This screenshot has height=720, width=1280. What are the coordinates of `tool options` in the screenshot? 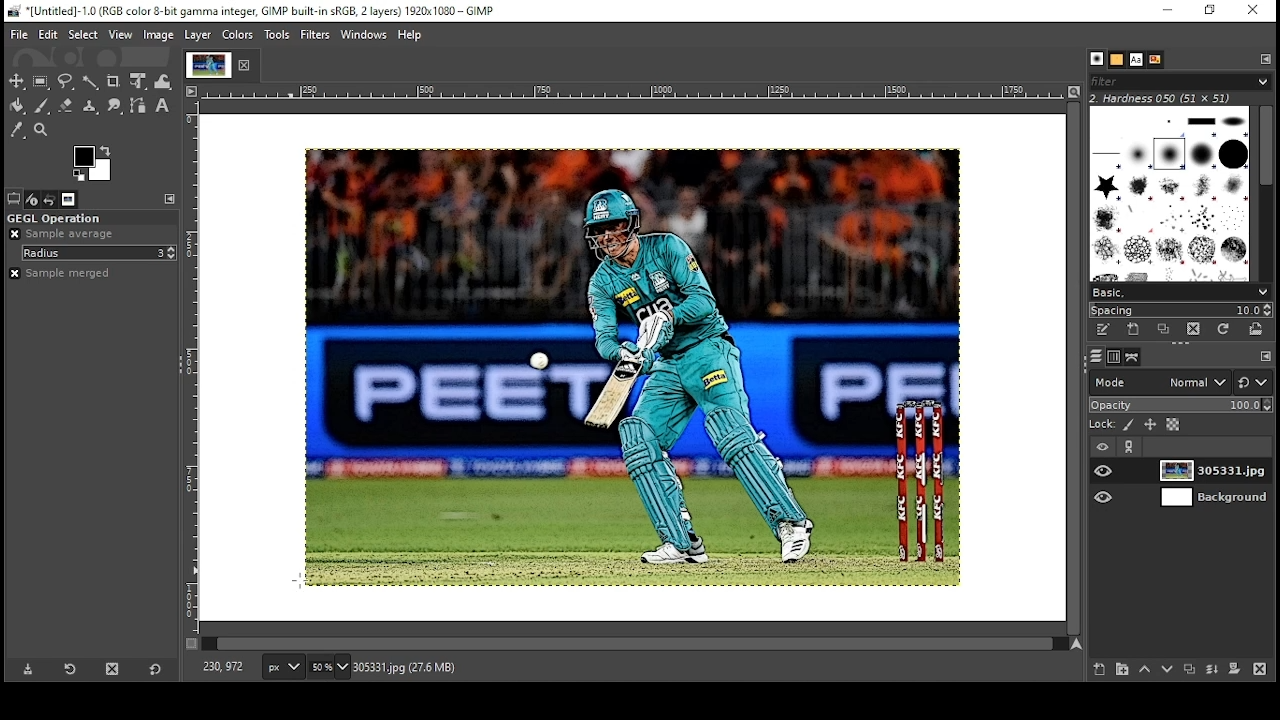 It's located at (14, 198).